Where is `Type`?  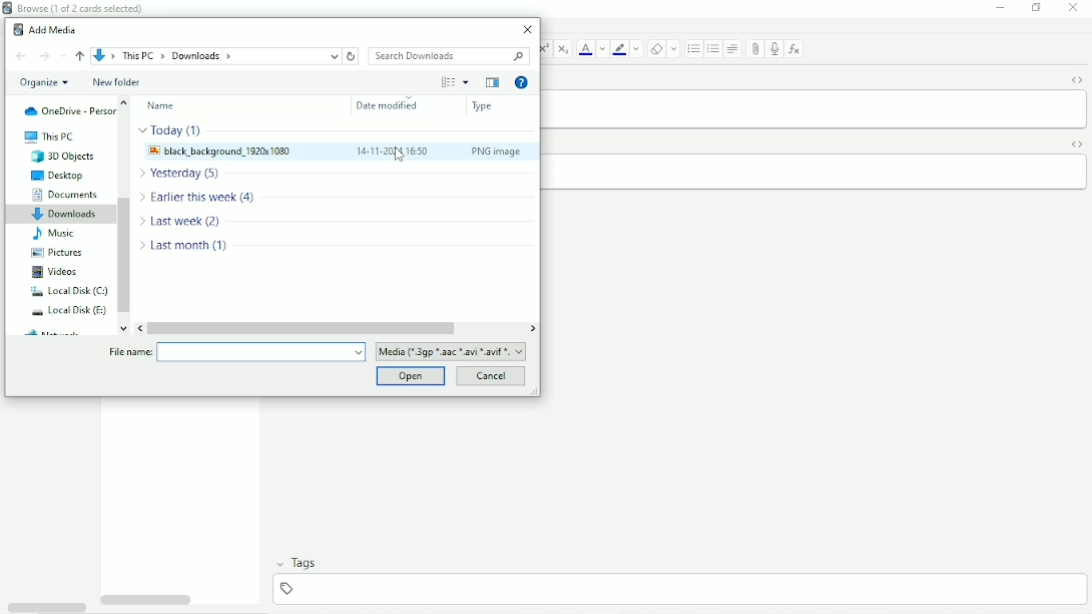
Type is located at coordinates (482, 106).